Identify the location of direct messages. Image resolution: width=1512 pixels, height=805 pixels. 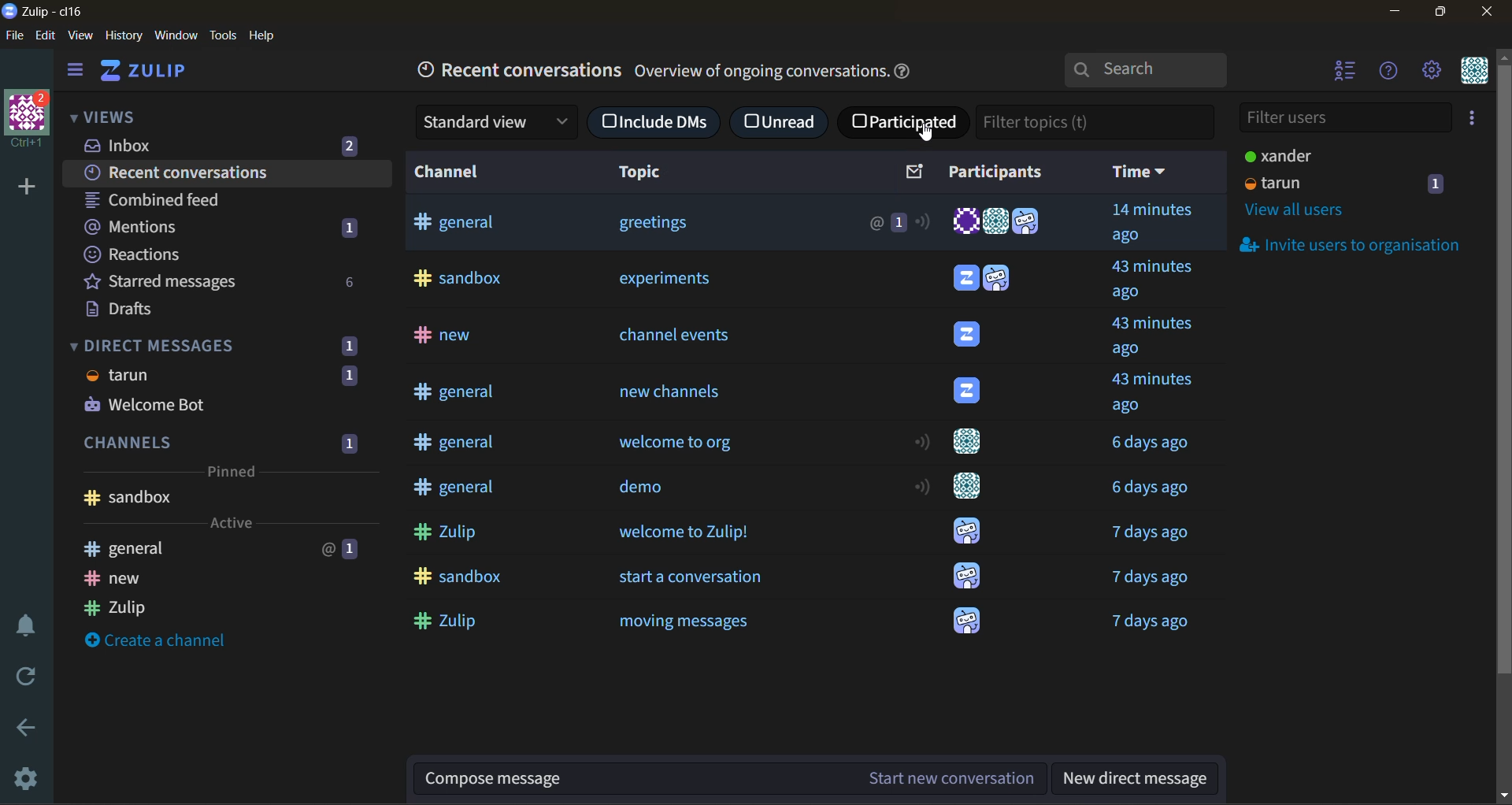
(223, 344).